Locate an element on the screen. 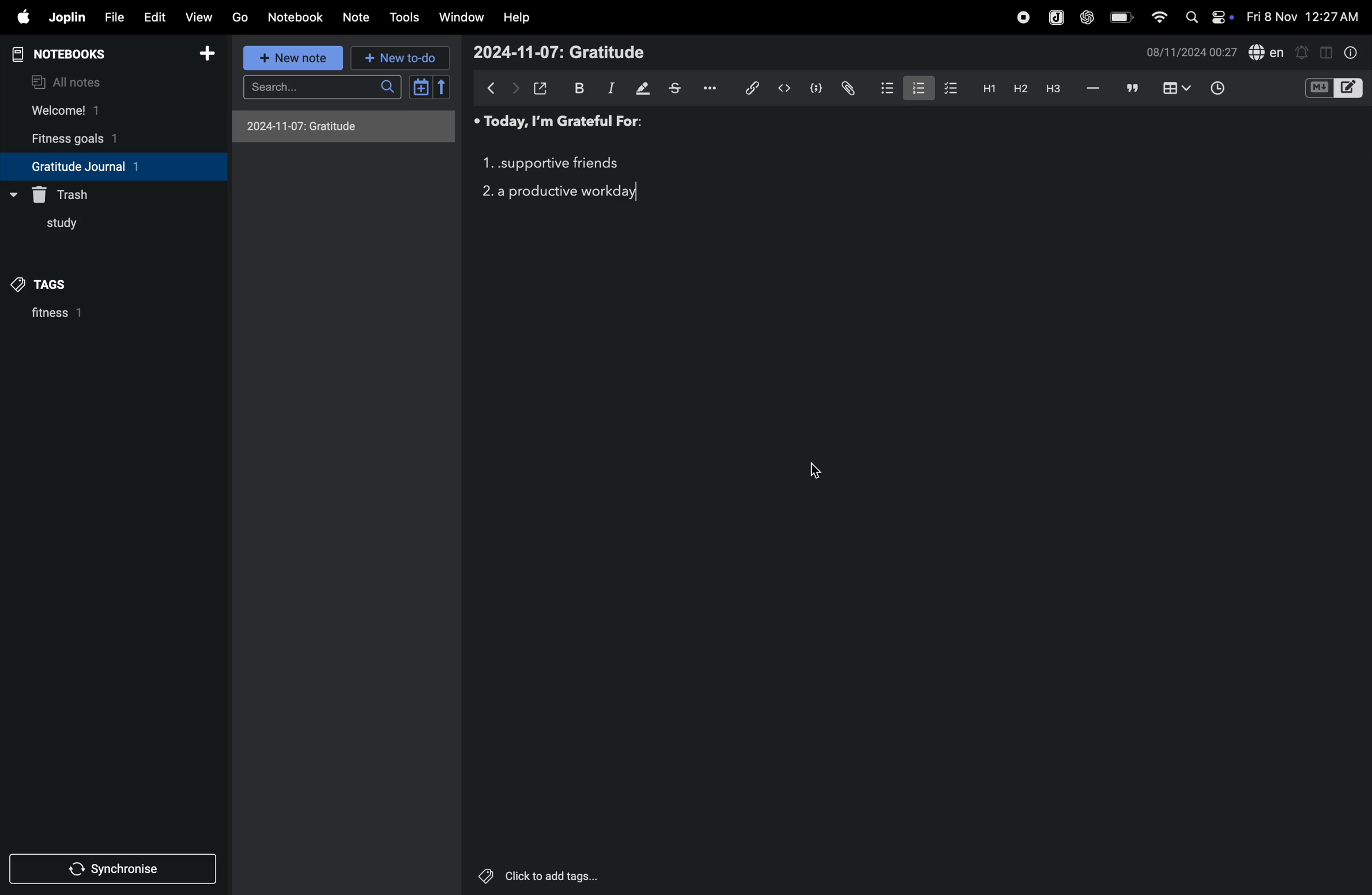  cursor is located at coordinates (813, 471).